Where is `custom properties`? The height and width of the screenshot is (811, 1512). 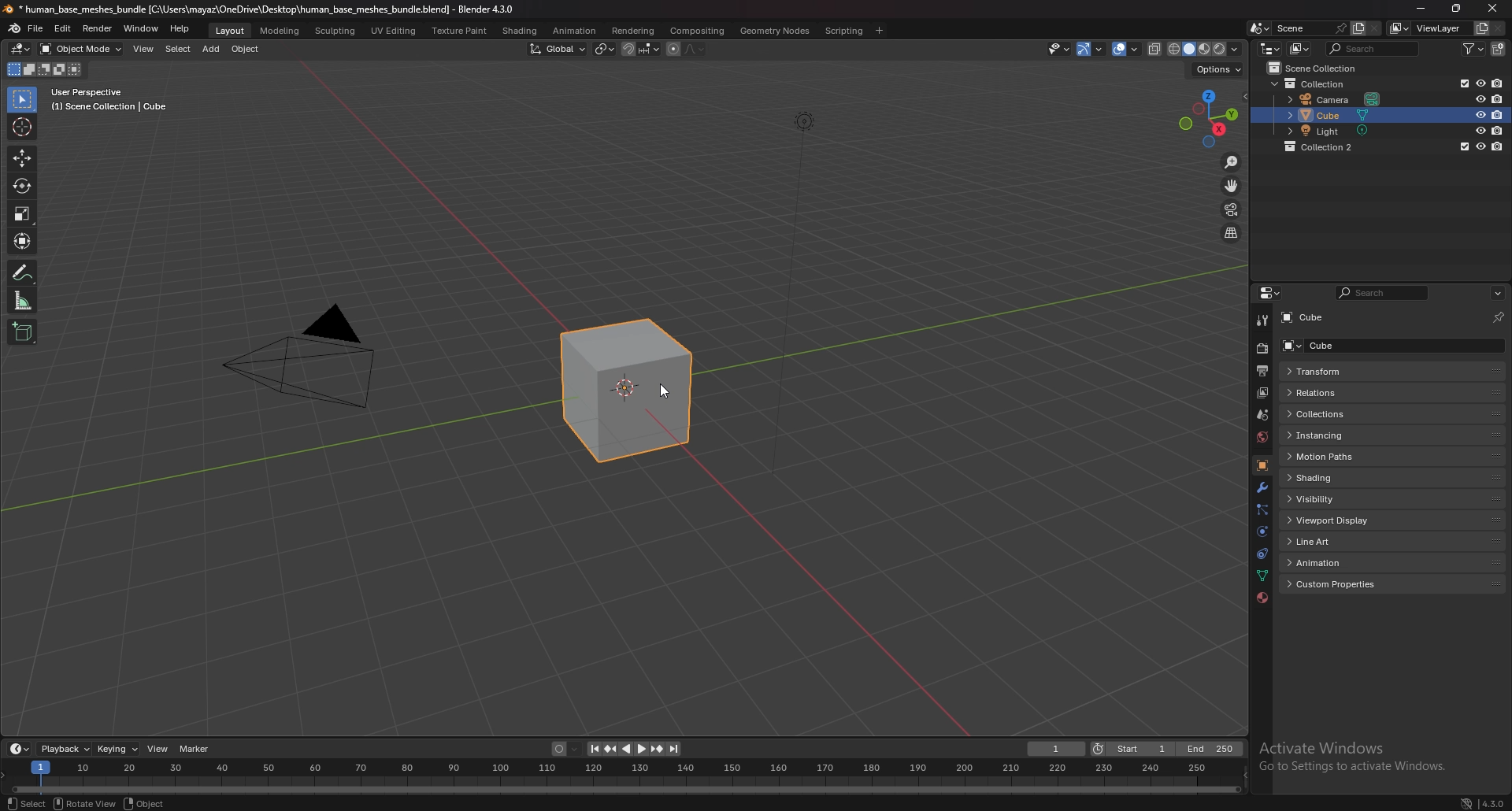
custom properties is located at coordinates (1345, 585).